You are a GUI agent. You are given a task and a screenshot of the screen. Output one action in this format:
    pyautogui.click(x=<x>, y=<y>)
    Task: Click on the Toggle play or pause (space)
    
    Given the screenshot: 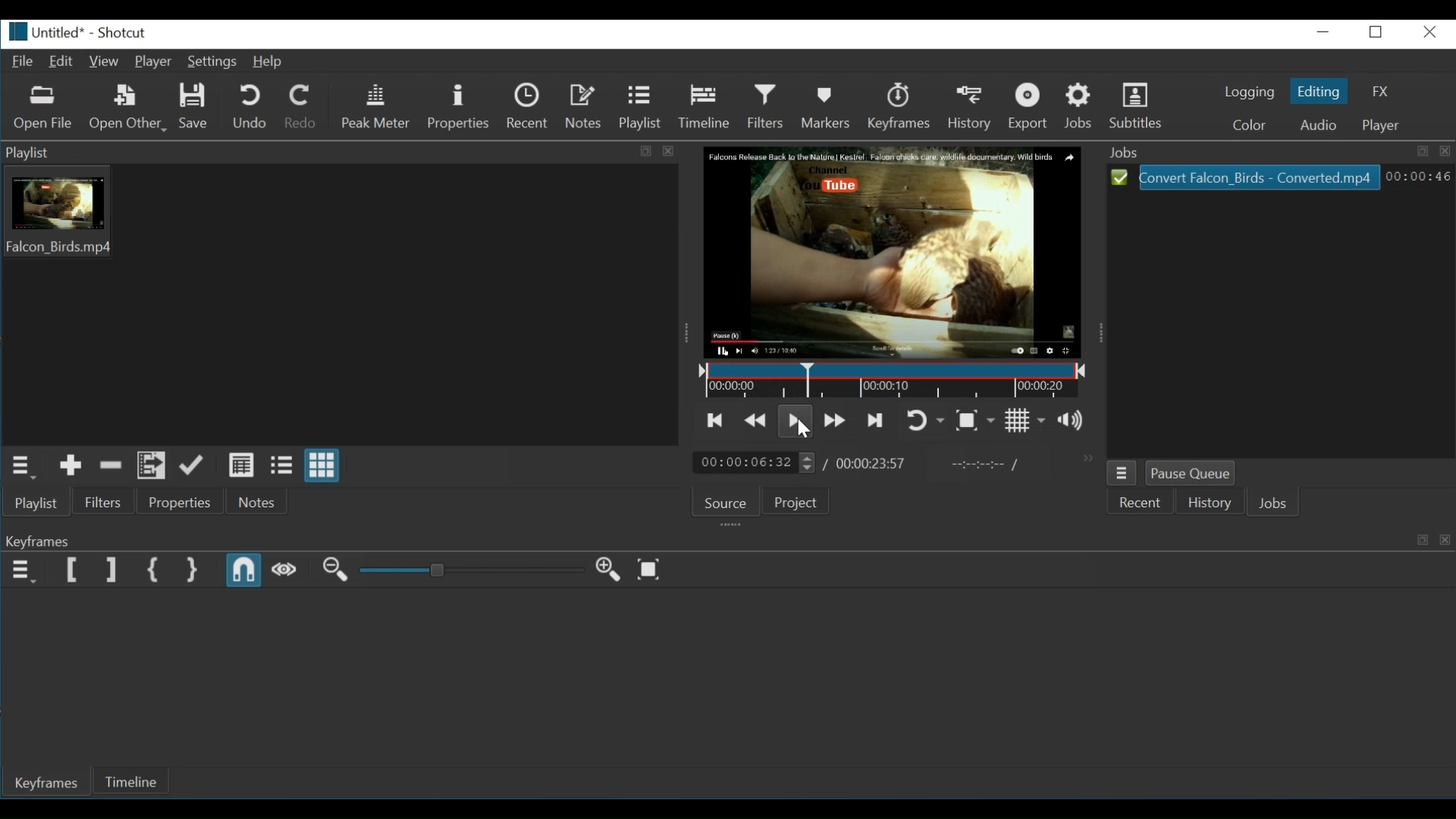 What is the action you would take?
    pyautogui.click(x=792, y=419)
    